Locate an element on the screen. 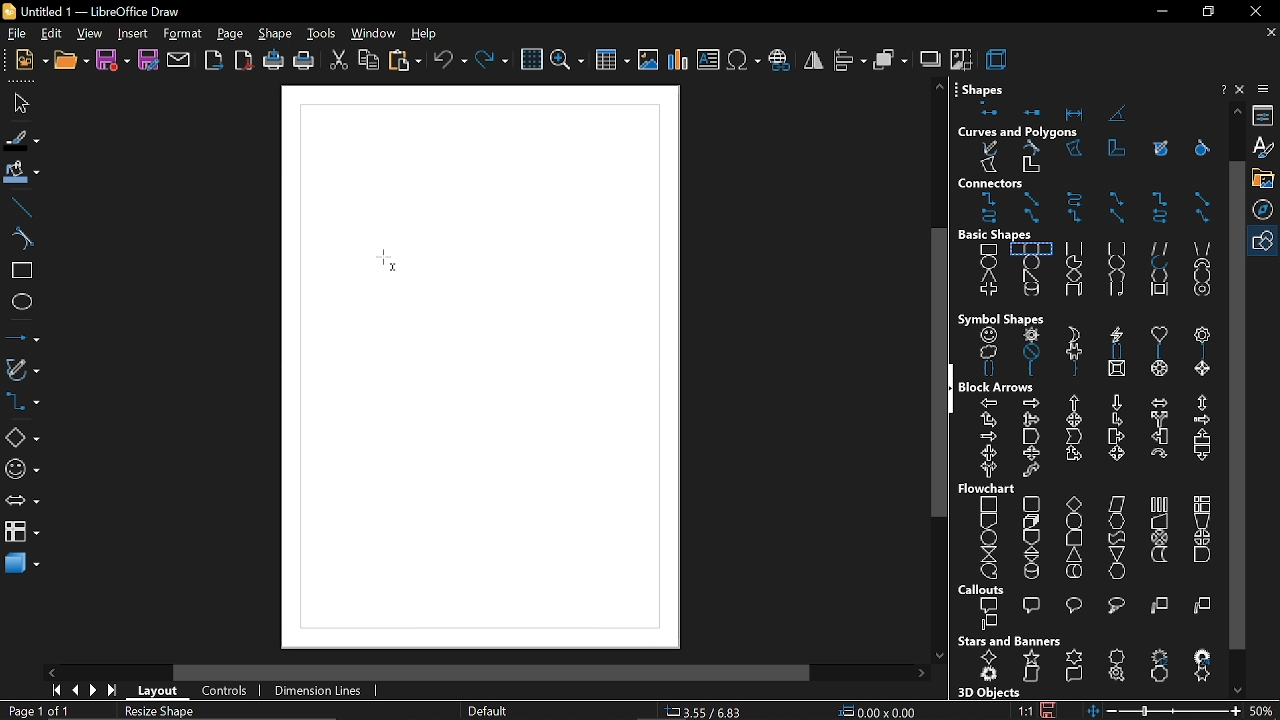  3d effect is located at coordinates (998, 58).